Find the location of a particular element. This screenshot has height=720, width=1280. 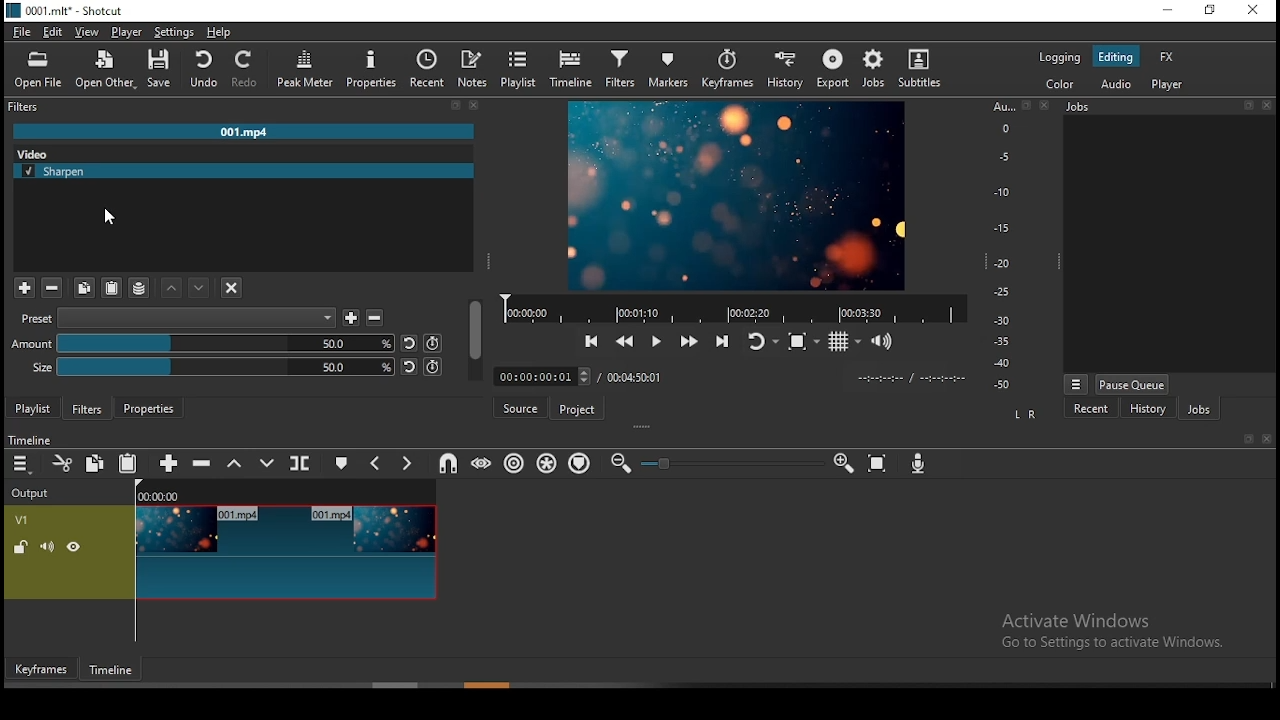

append is located at coordinates (162, 464).